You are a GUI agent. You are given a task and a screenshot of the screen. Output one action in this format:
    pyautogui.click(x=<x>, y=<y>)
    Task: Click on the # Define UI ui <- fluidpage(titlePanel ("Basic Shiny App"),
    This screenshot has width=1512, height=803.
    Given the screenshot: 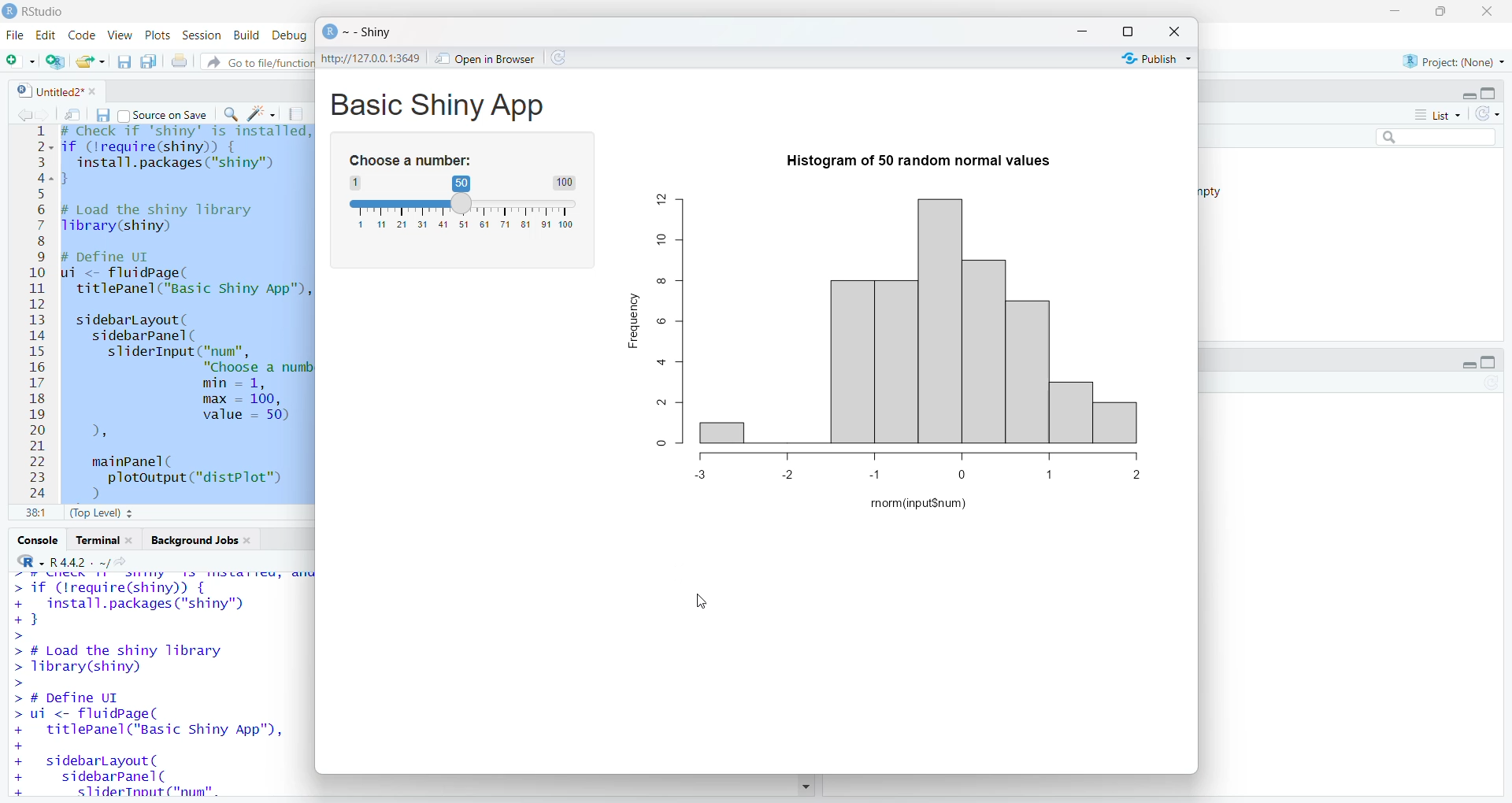 What is the action you would take?
    pyautogui.click(x=186, y=275)
    